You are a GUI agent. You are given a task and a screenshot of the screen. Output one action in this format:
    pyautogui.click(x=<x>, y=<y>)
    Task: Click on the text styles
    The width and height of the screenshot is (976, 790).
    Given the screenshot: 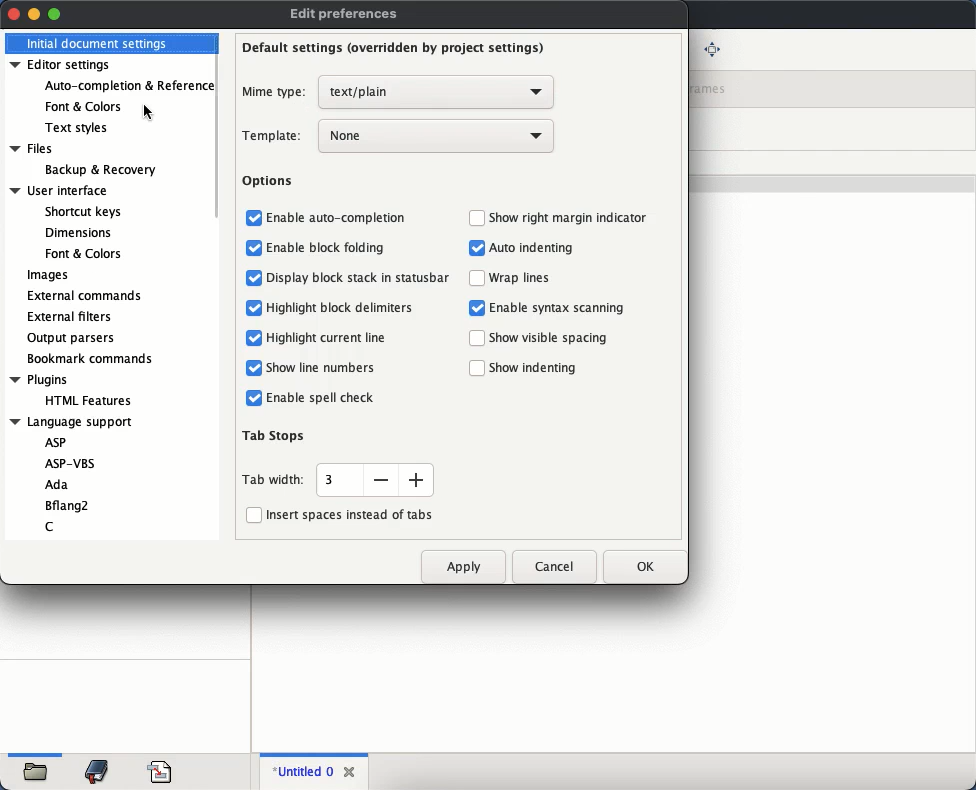 What is the action you would take?
    pyautogui.click(x=78, y=128)
    